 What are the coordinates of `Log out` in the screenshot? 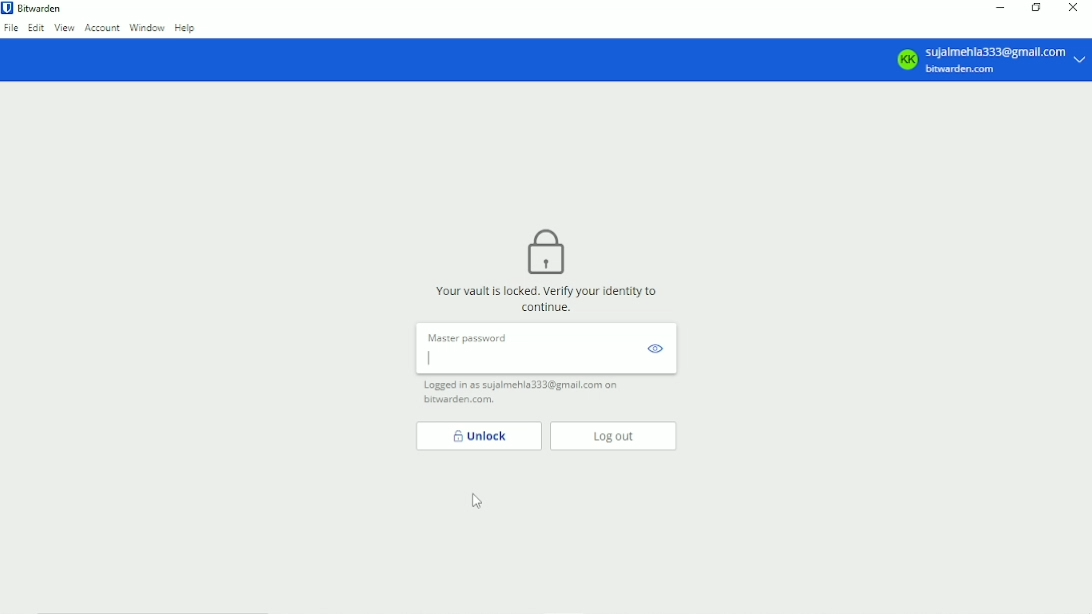 It's located at (613, 436).